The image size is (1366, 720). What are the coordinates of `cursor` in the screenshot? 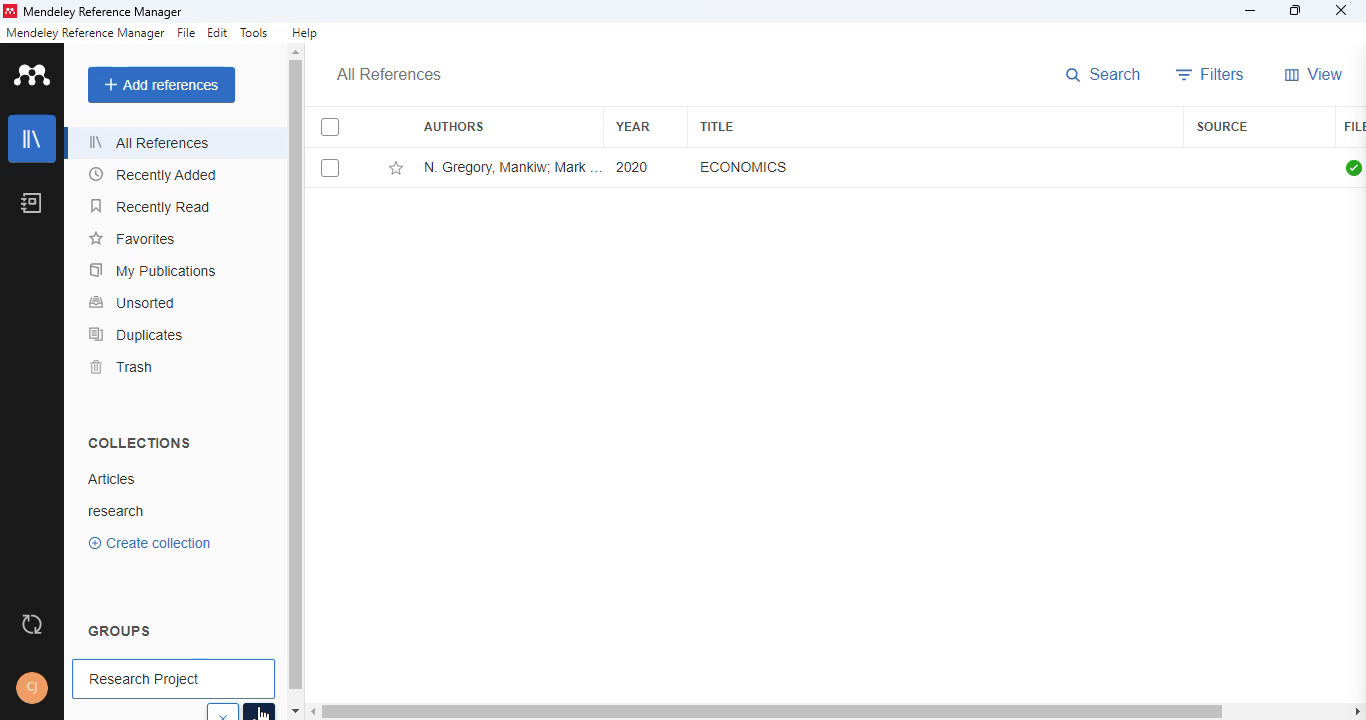 It's located at (260, 712).